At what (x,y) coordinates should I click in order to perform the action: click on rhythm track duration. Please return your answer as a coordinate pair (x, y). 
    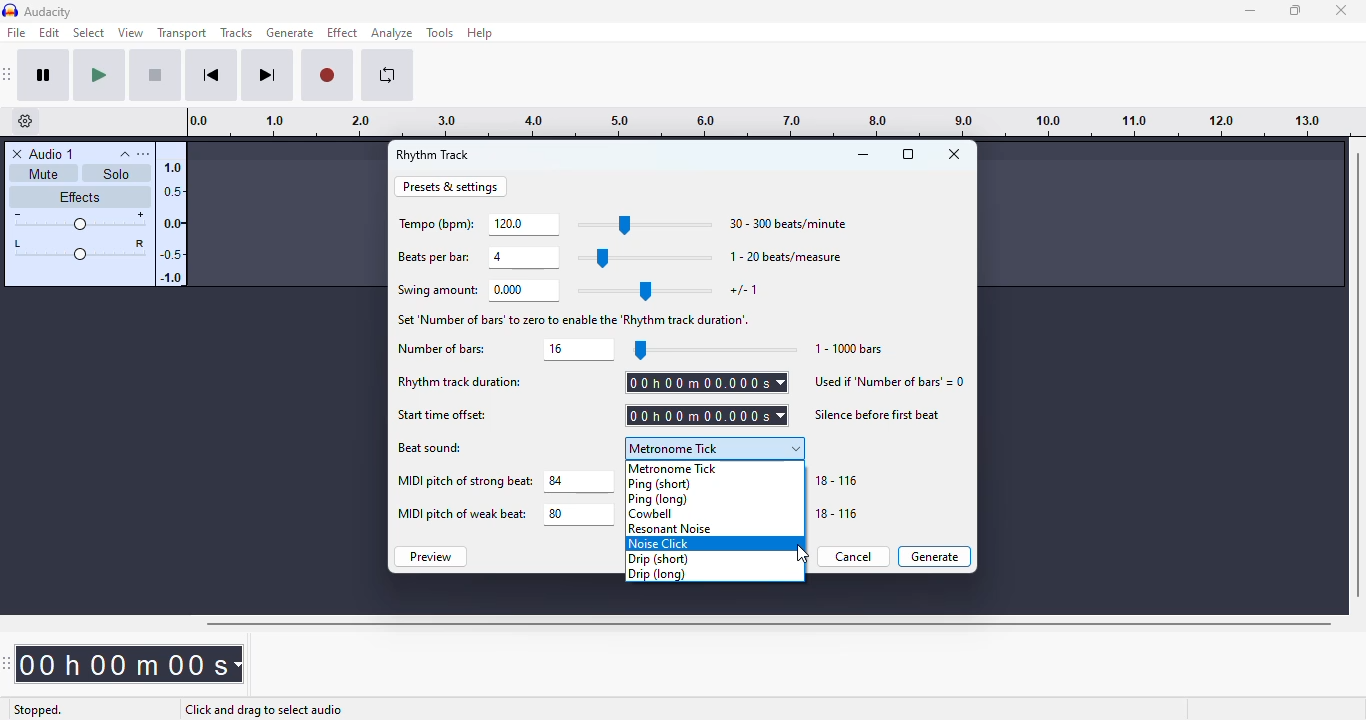
    Looking at the image, I should click on (459, 381).